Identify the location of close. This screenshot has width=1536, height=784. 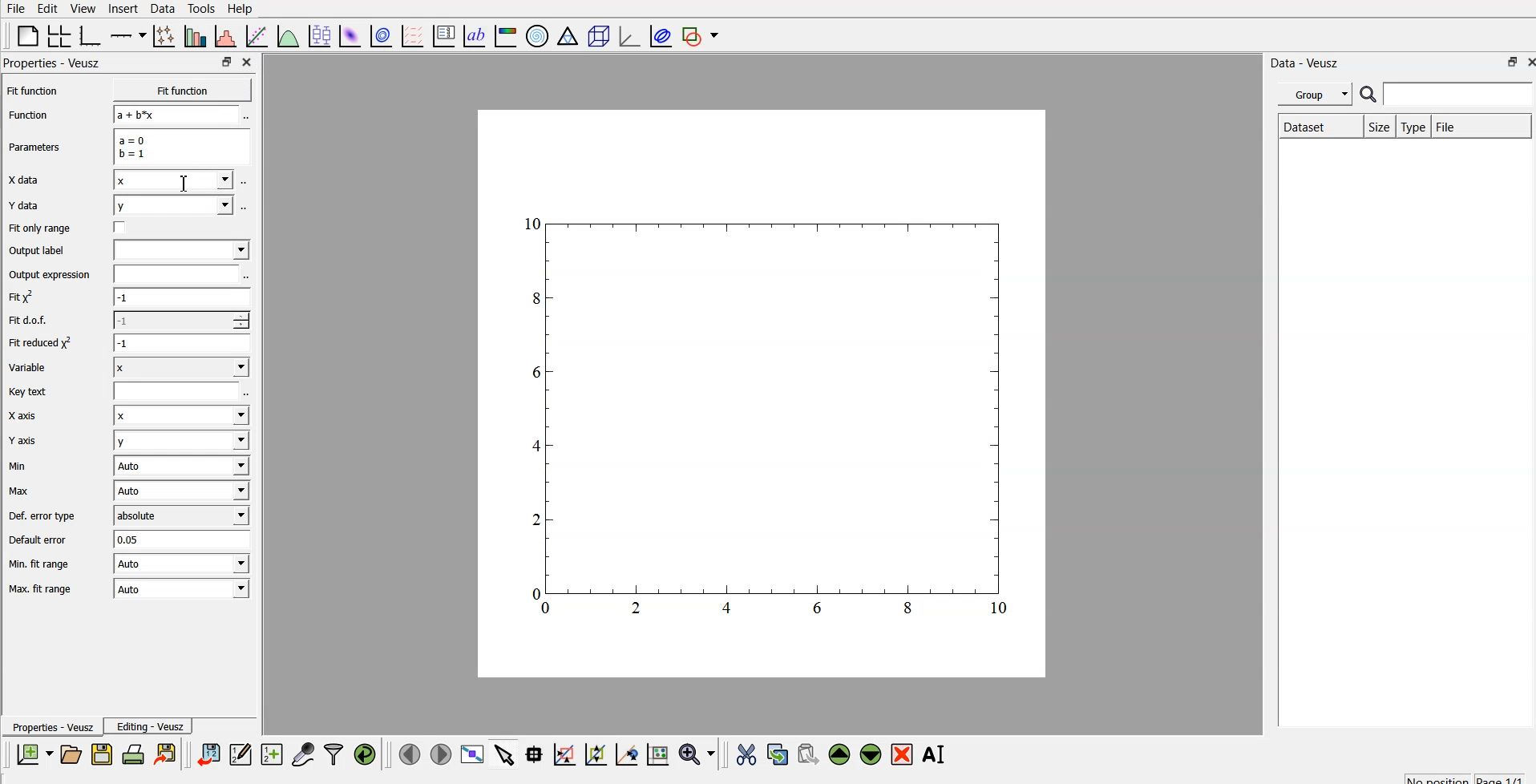
(1526, 65).